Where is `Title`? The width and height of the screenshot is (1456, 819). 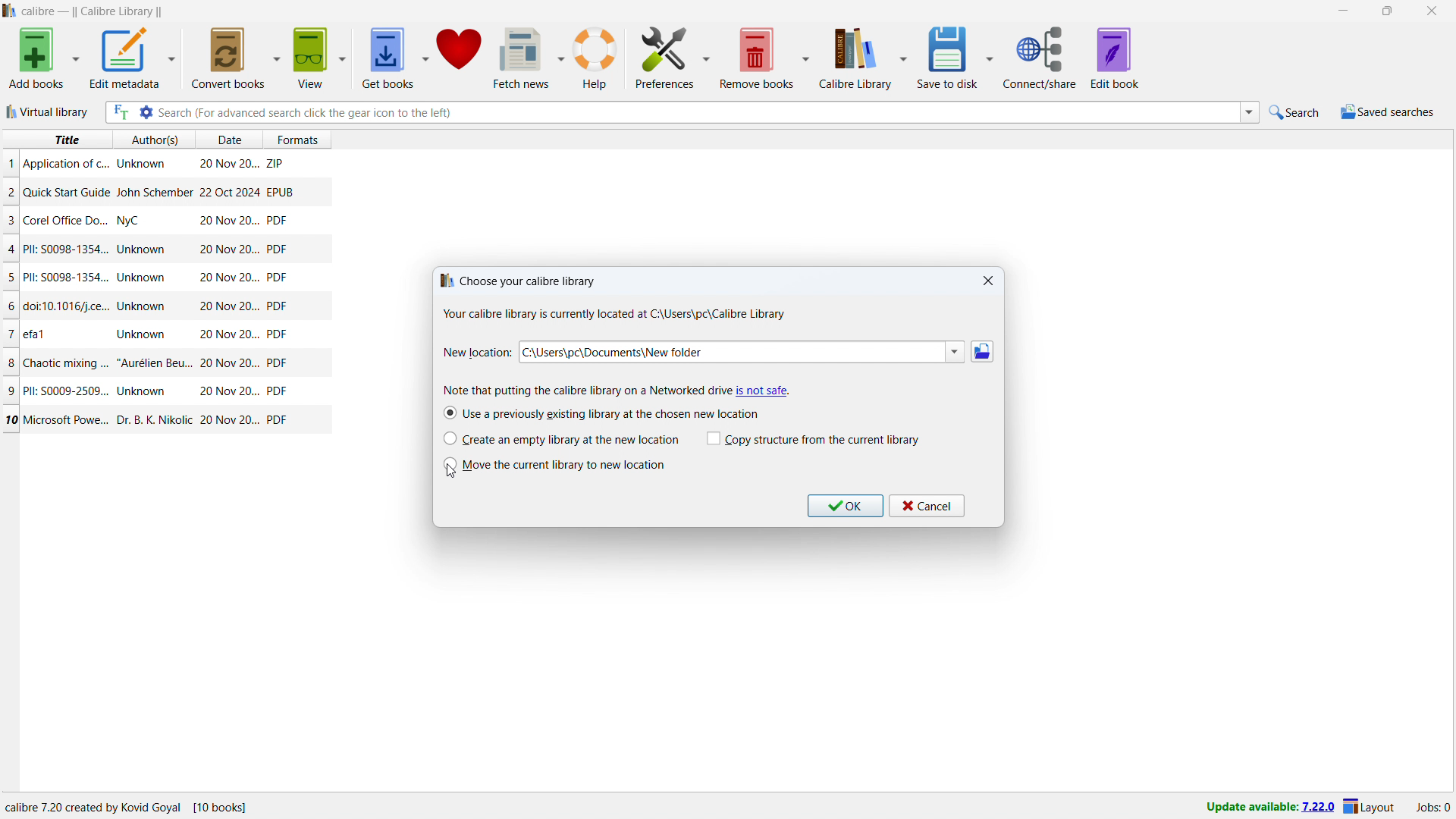
Title is located at coordinates (64, 390).